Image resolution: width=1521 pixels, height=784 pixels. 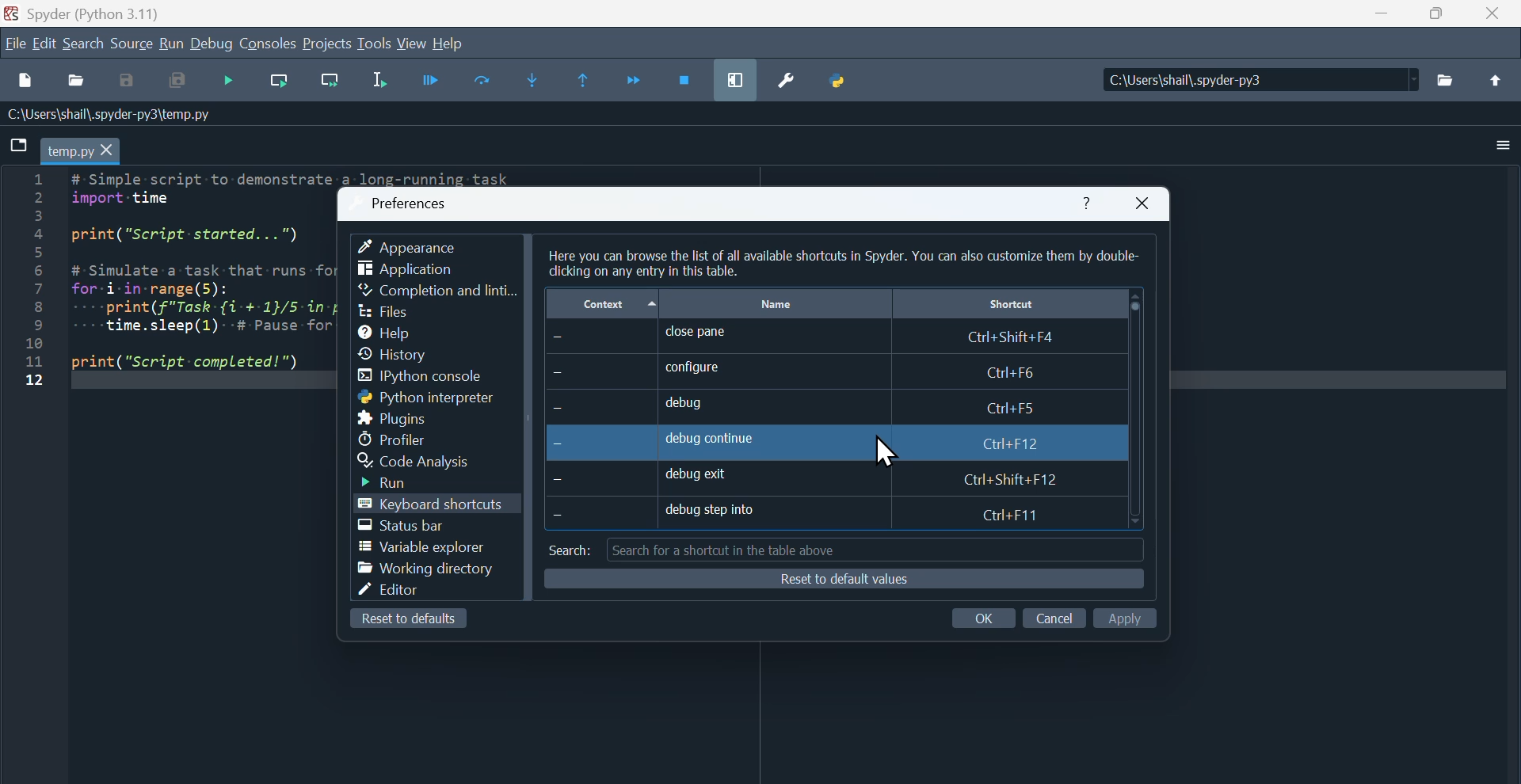 I want to click on I python console, so click(x=429, y=377).